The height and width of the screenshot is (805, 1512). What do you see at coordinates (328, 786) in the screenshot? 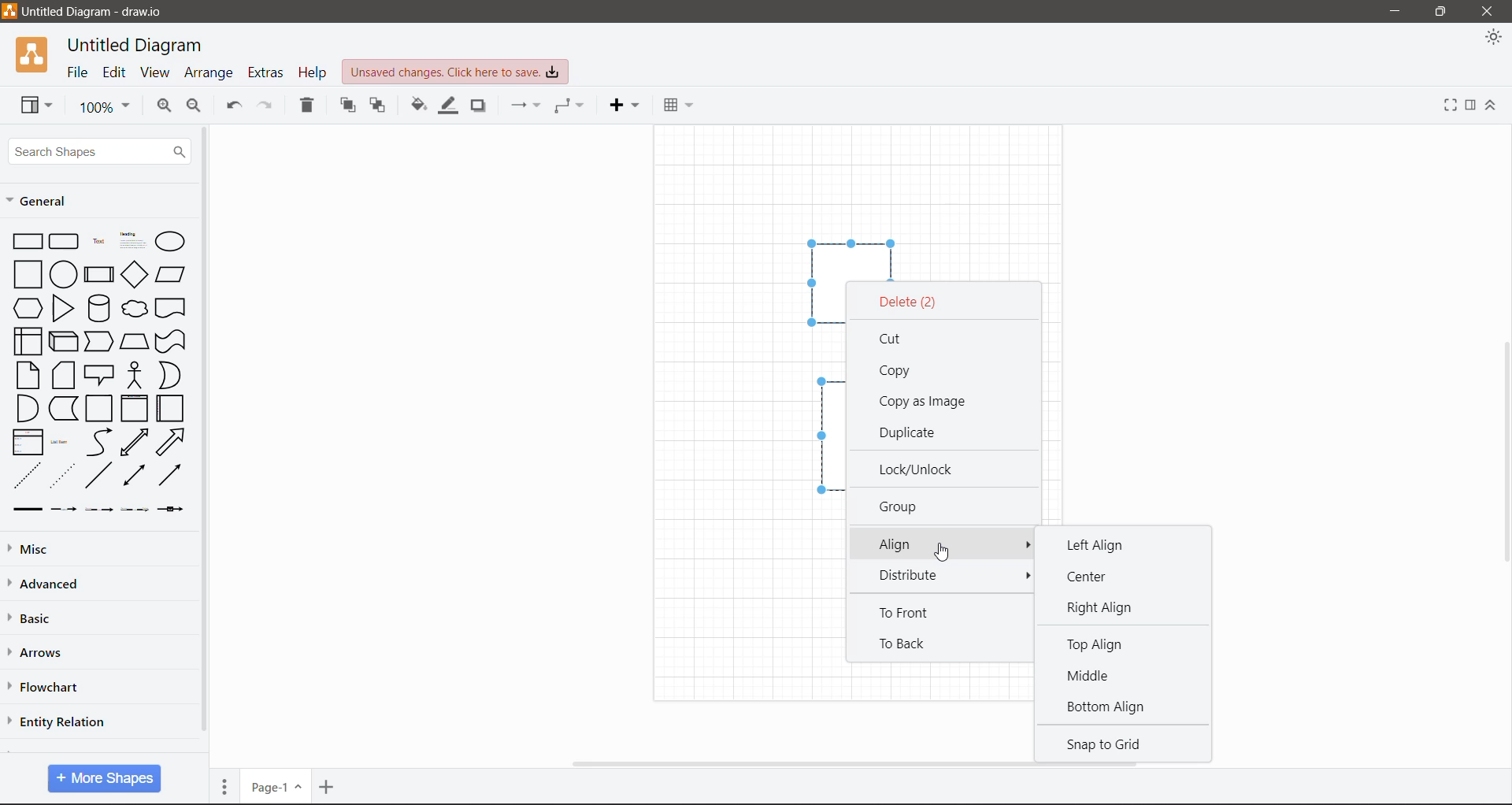
I see `Insert Page` at bounding box center [328, 786].